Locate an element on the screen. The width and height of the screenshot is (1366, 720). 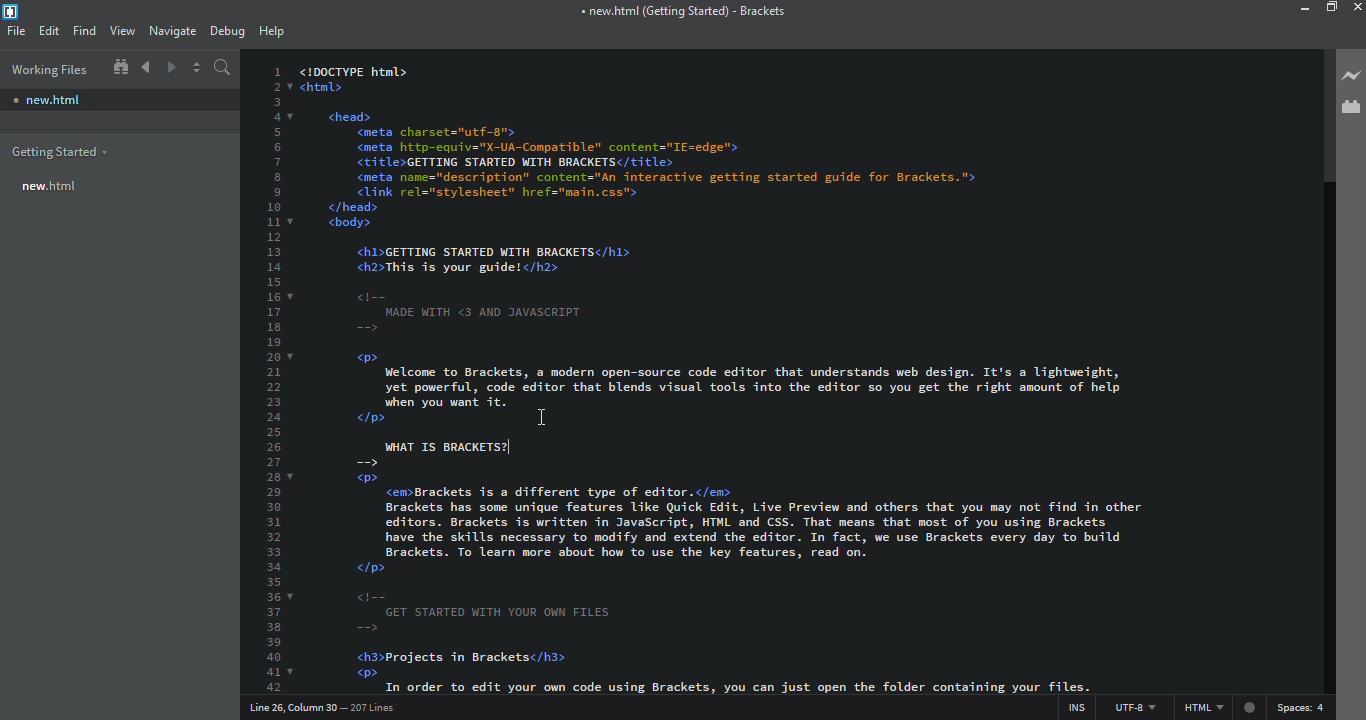
help is located at coordinates (271, 32).